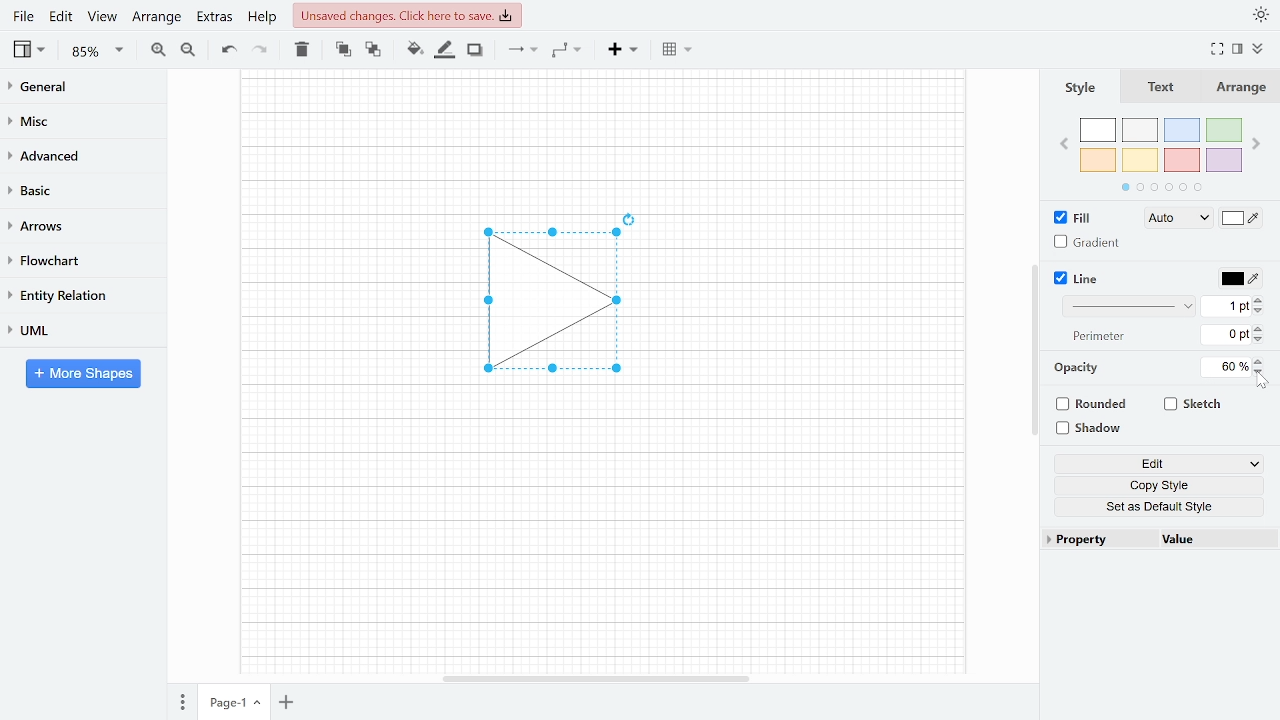 The width and height of the screenshot is (1280, 720). I want to click on blue, so click(1184, 130).